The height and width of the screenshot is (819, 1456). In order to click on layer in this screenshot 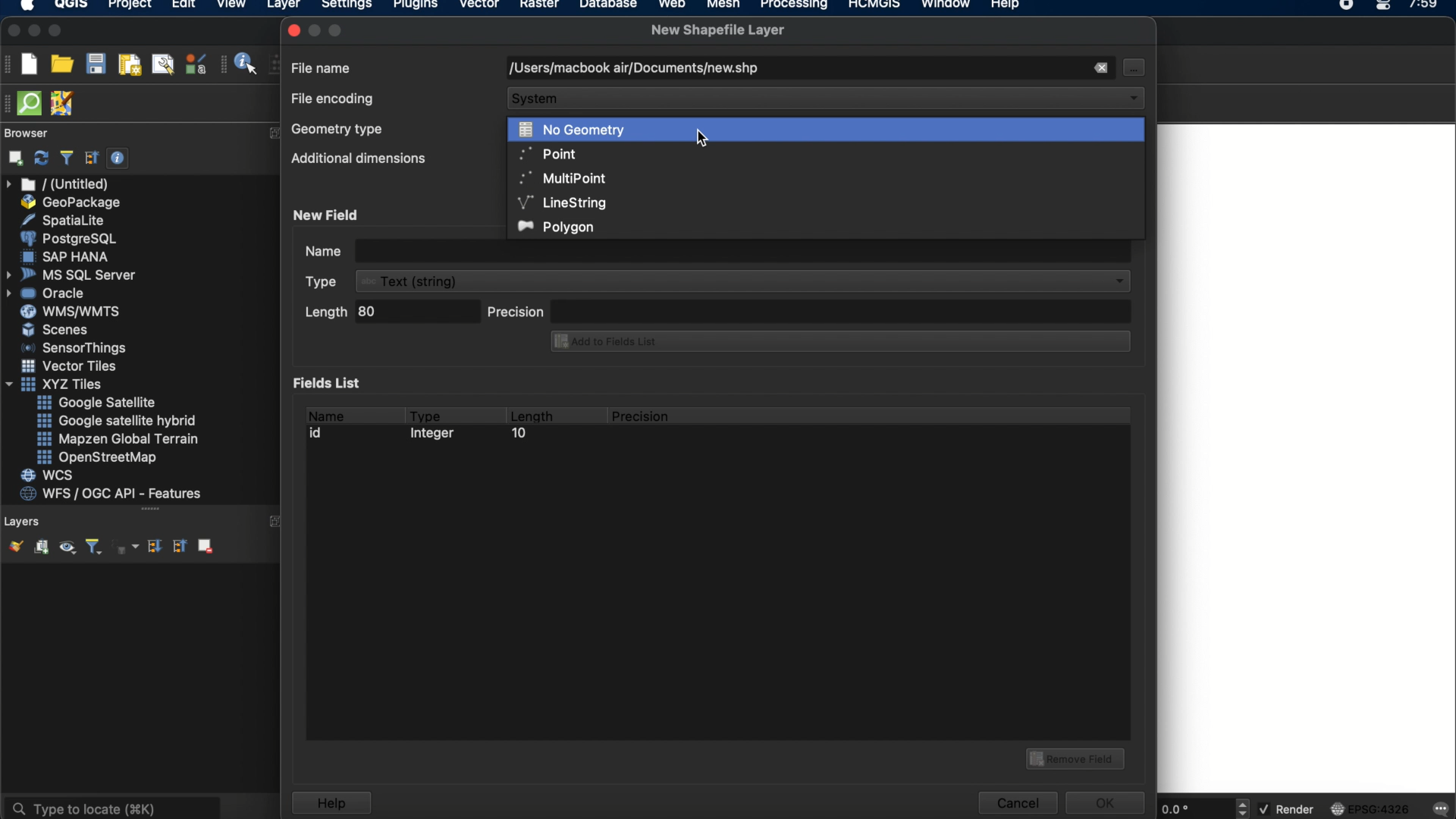, I will do `click(284, 8)`.